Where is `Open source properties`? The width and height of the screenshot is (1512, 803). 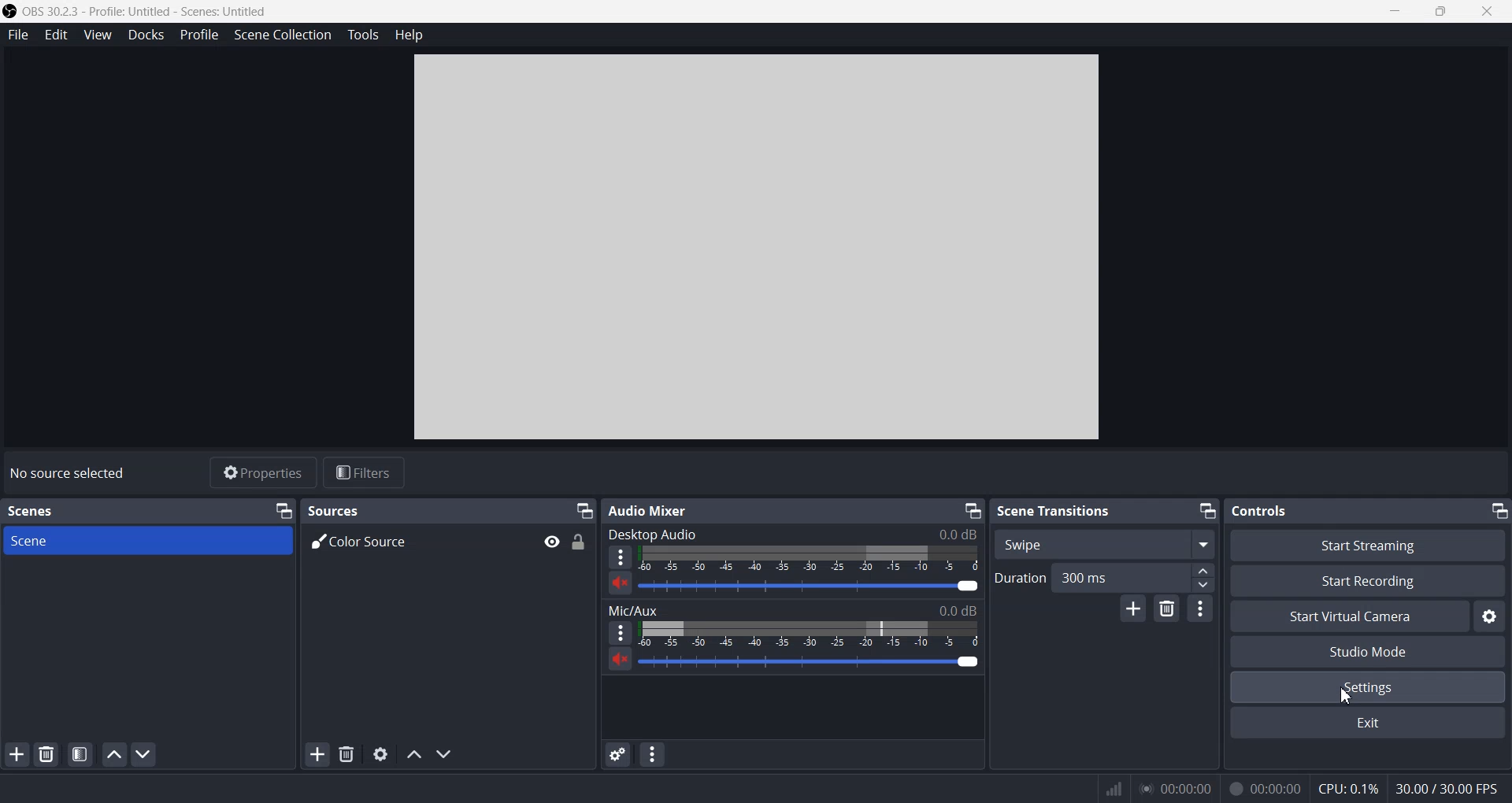 Open source properties is located at coordinates (380, 754).